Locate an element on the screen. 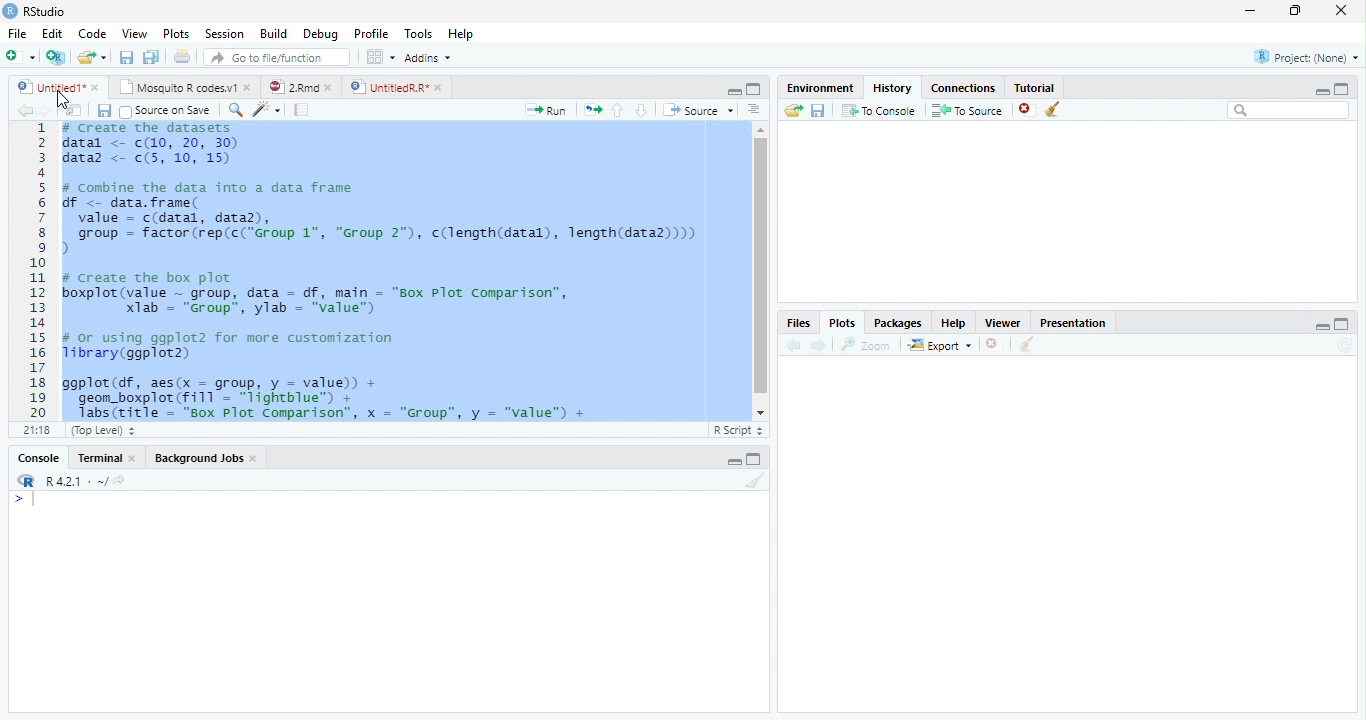  Save current document is located at coordinates (103, 110).